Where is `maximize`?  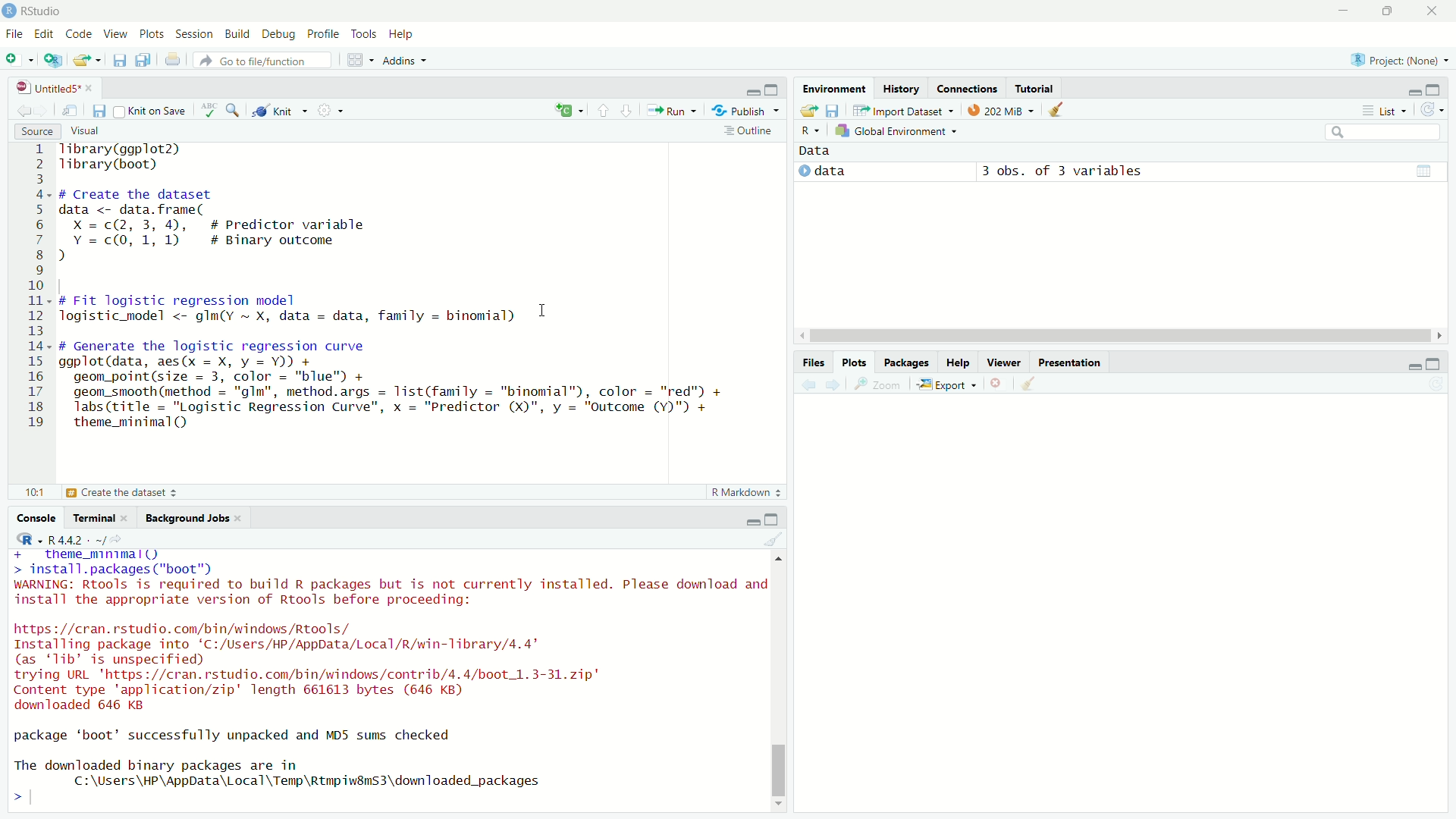 maximize is located at coordinates (1433, 364).